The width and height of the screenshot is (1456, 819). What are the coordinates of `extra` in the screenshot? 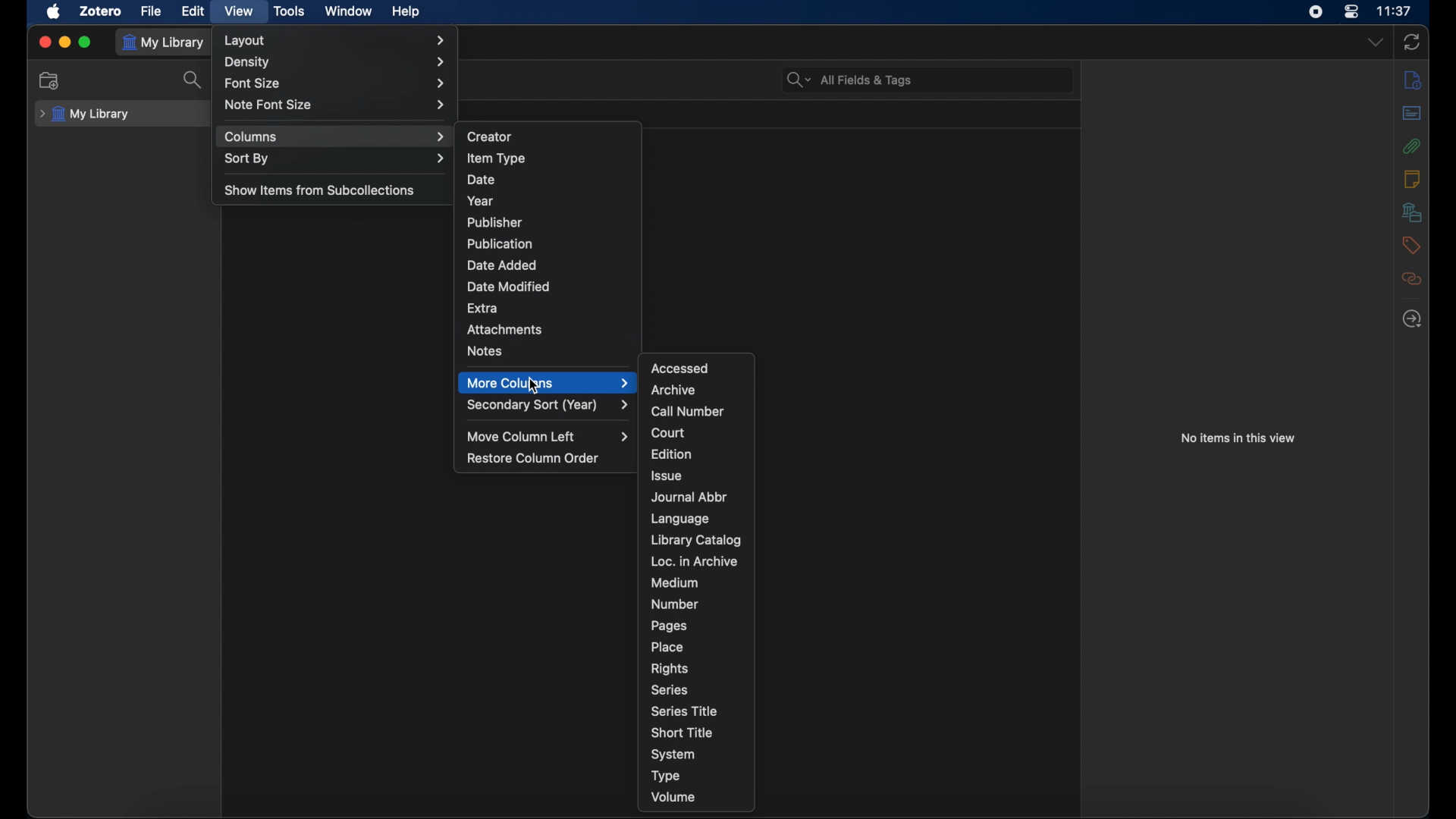 It's located at (483, 307).